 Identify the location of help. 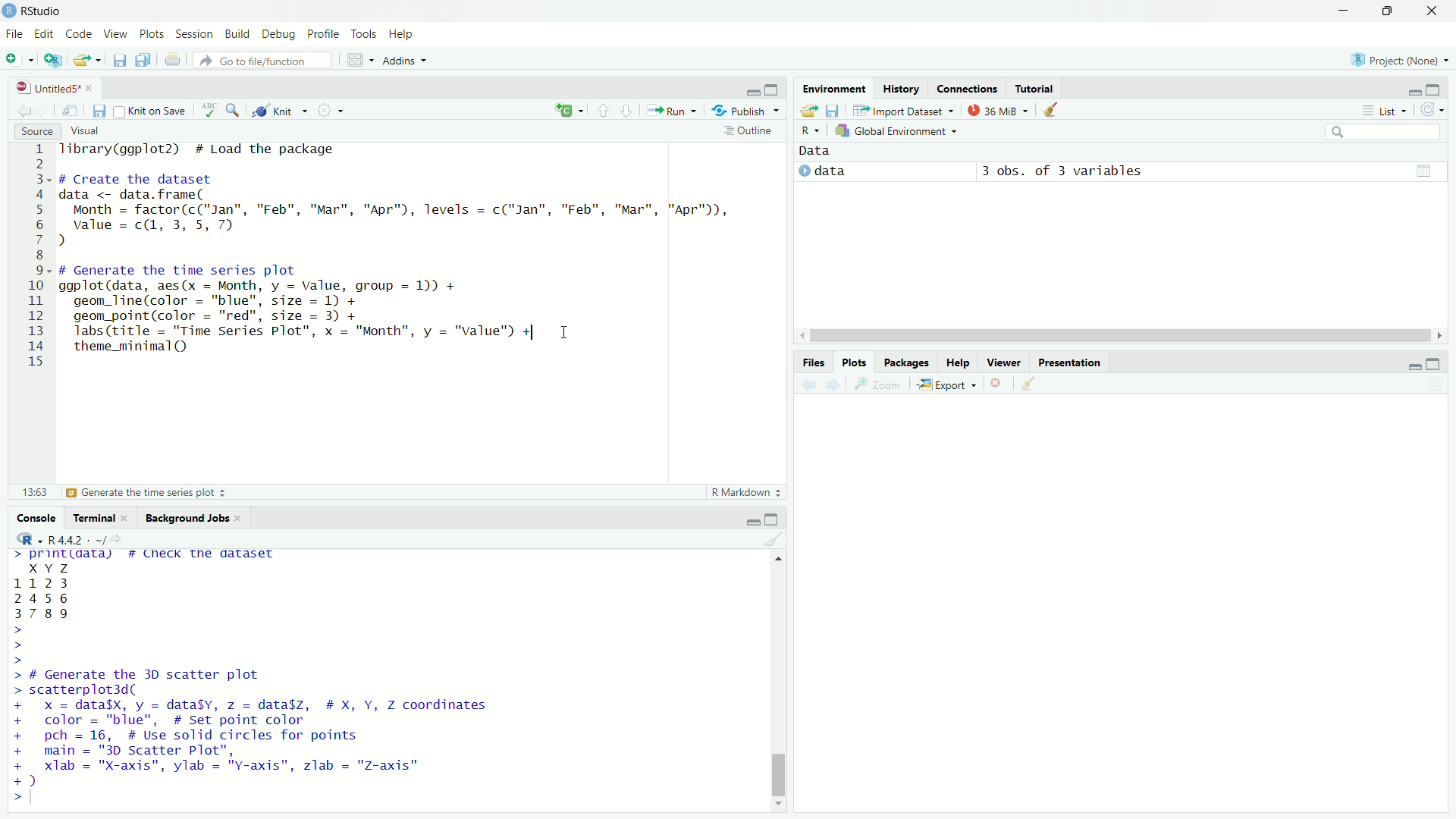
(406, 36).